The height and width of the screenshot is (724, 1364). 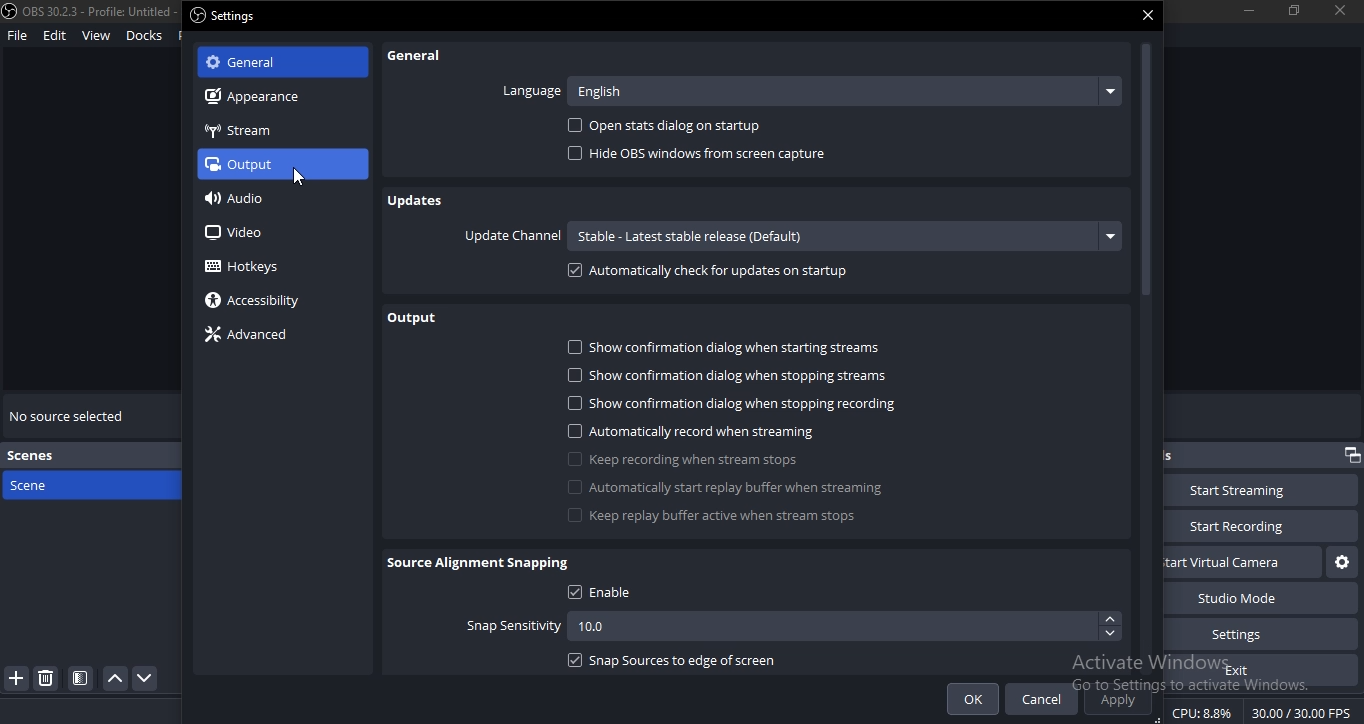 What do you see at coordinates (234, 231) in the screenshot?
I see `video` at bounding box center [234, 231].